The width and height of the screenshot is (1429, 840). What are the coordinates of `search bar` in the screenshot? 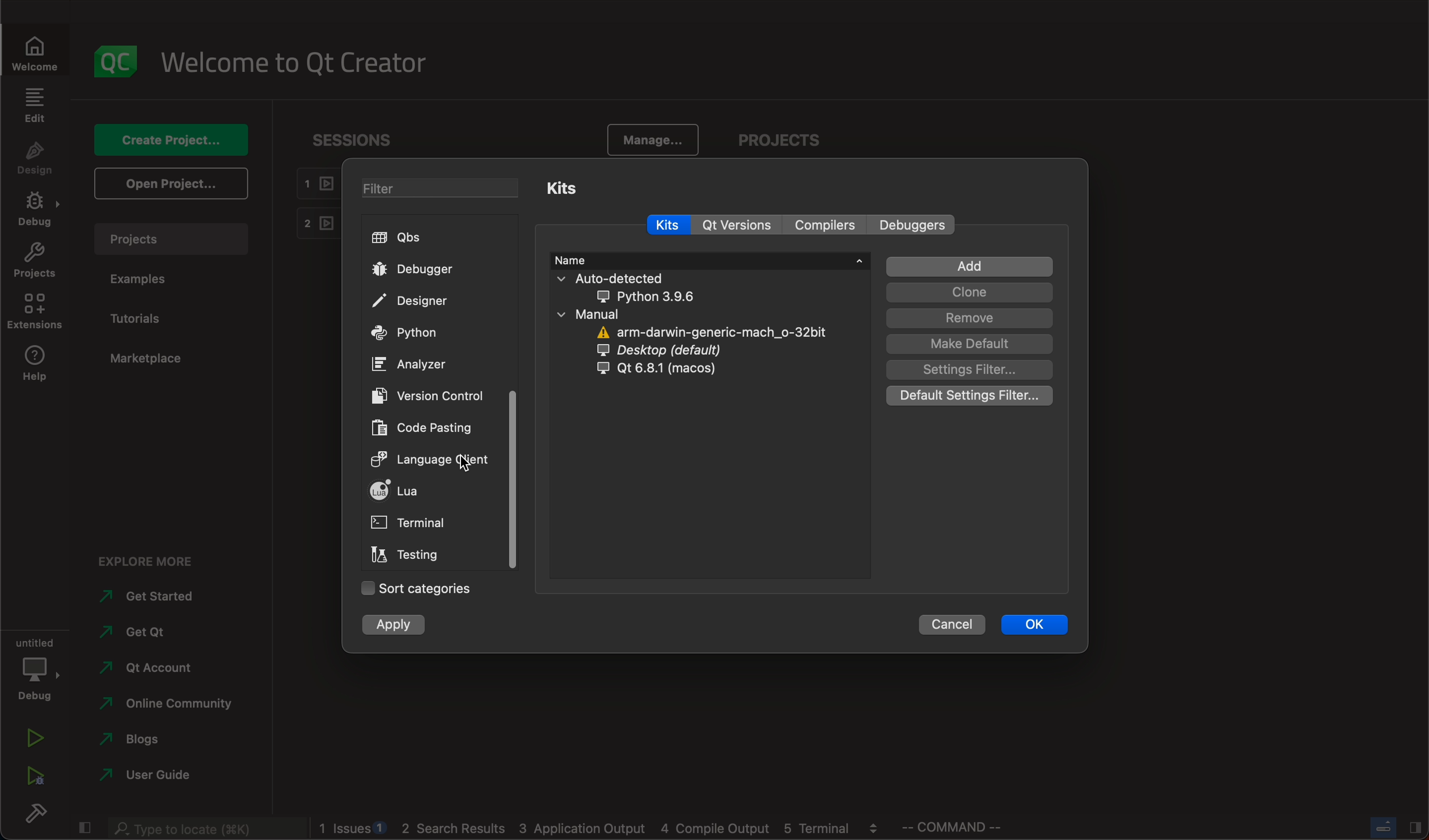 It's located at (202, 829).